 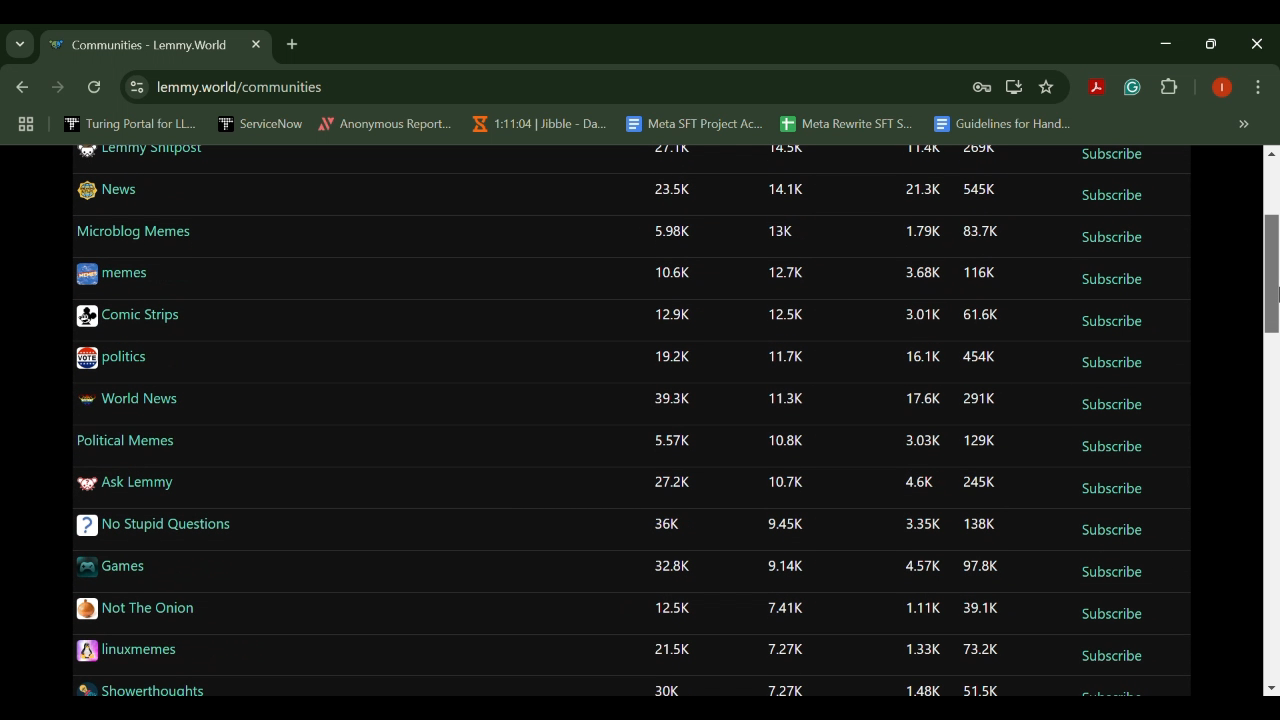 What do you see at coordinates (672, 231) in the screenshot?
I see `5.98K` at bounding box center [672, 231].